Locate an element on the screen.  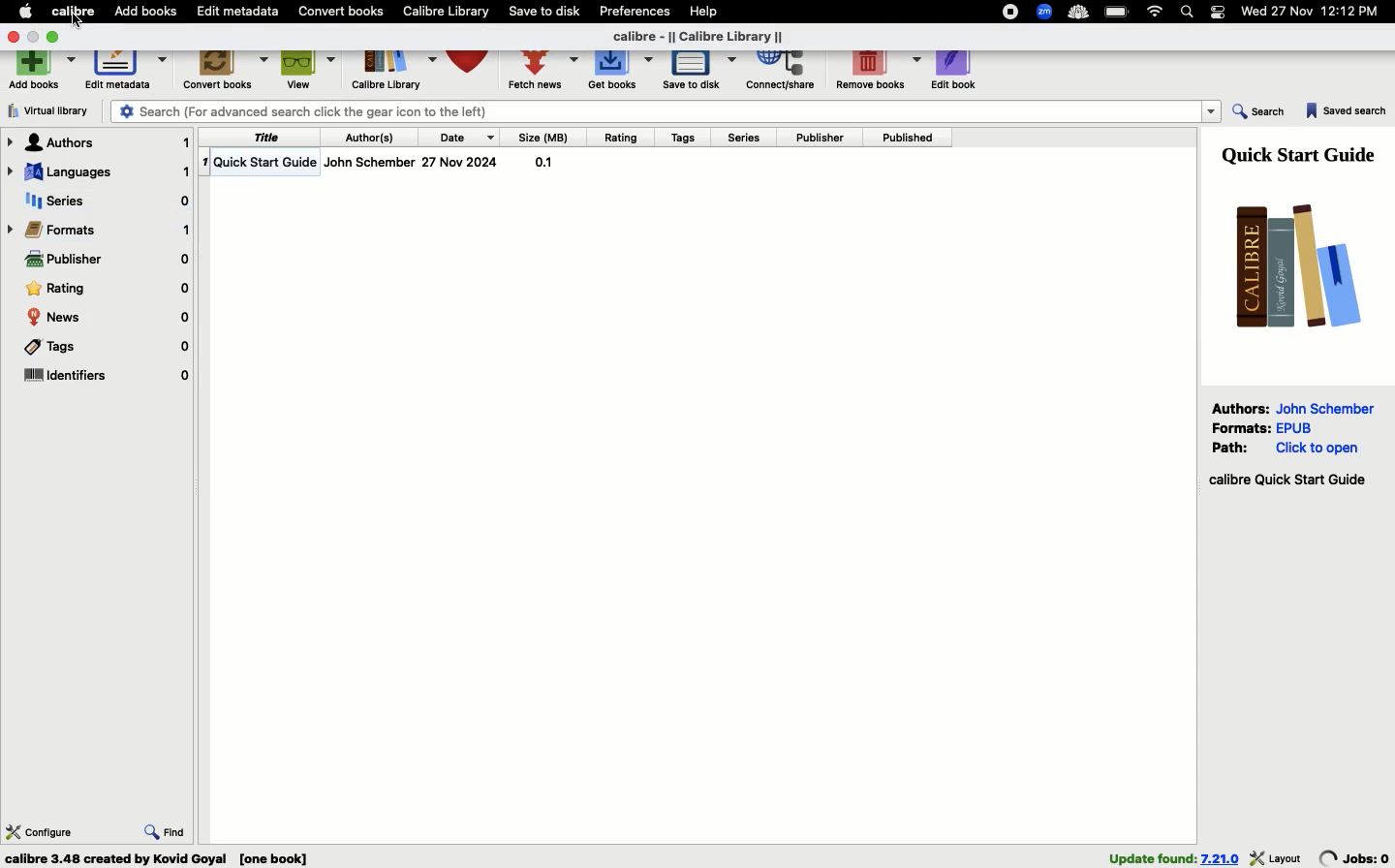
Notification is located at coordinates (1219, 12).